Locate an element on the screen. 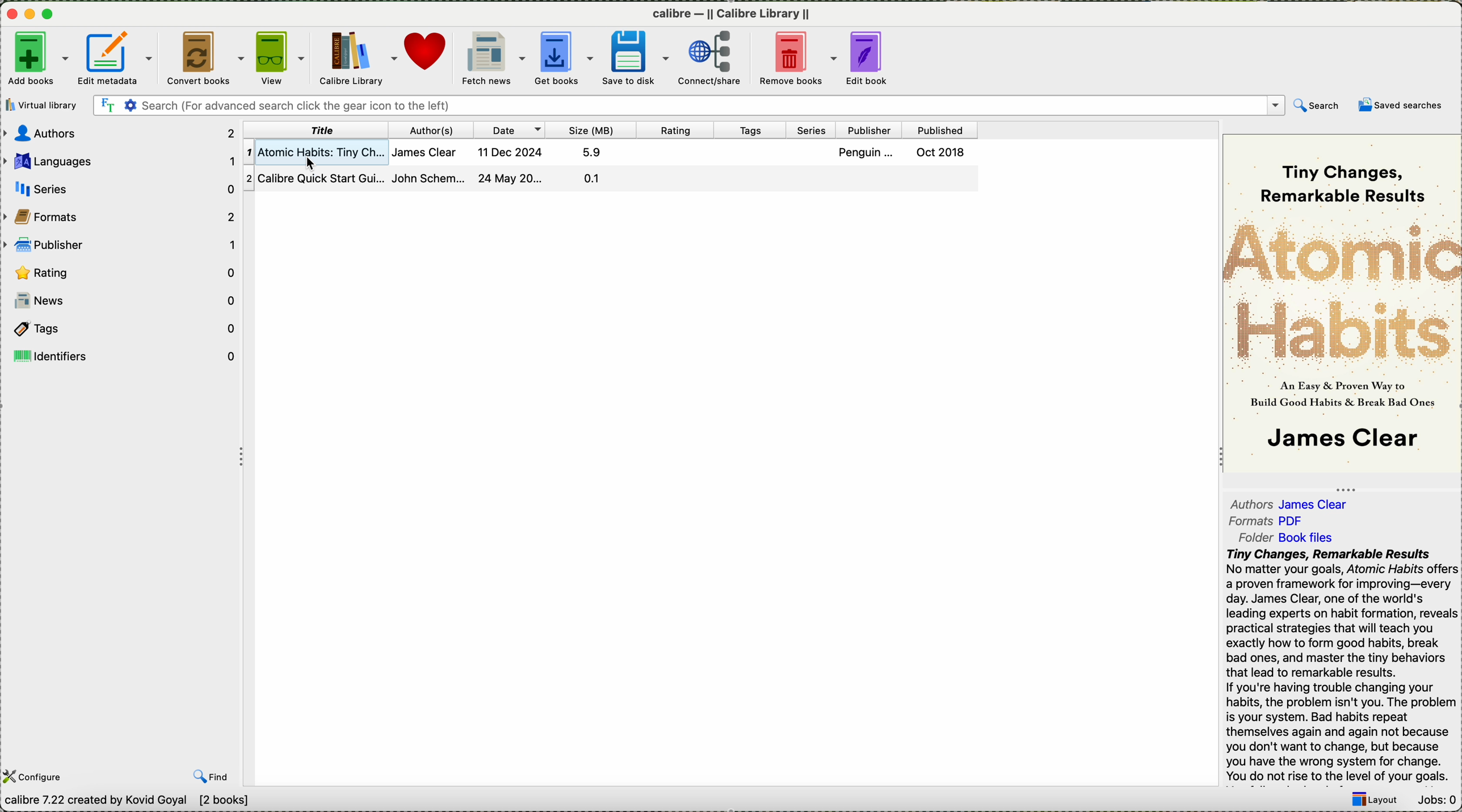  configure is located at coordinates (35, 777).